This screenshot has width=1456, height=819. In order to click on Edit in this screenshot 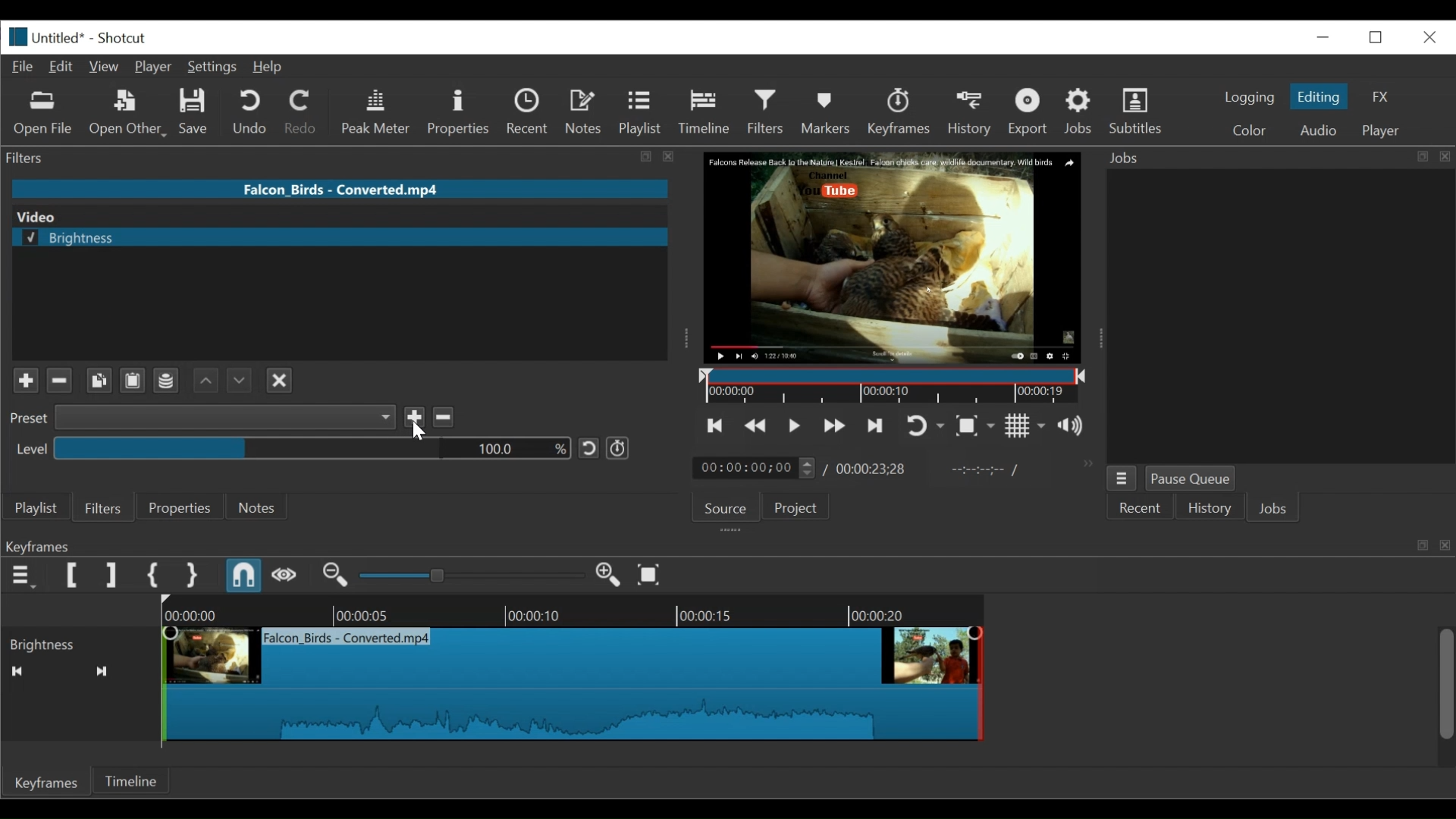, I will do `click(61, 67)`.